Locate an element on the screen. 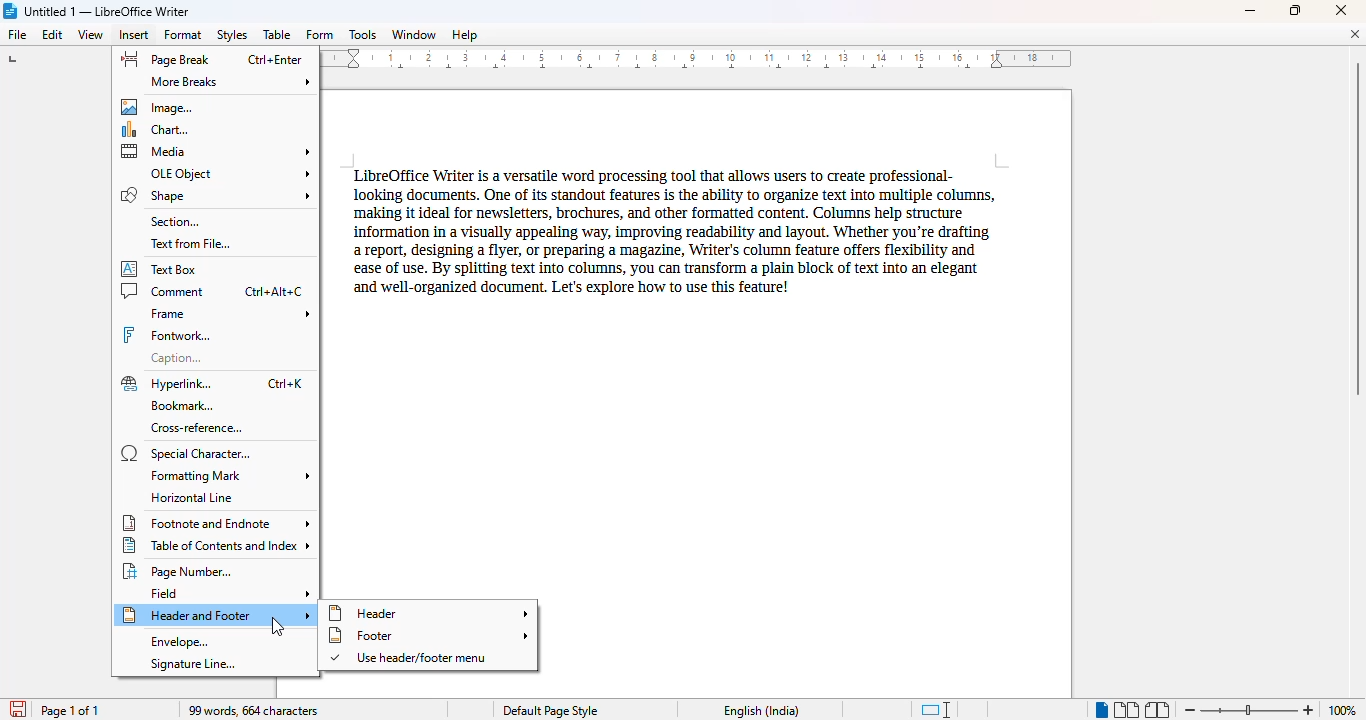 The width and height of the screenshot is (1366, 720). format is located at coordinates (183, 34).